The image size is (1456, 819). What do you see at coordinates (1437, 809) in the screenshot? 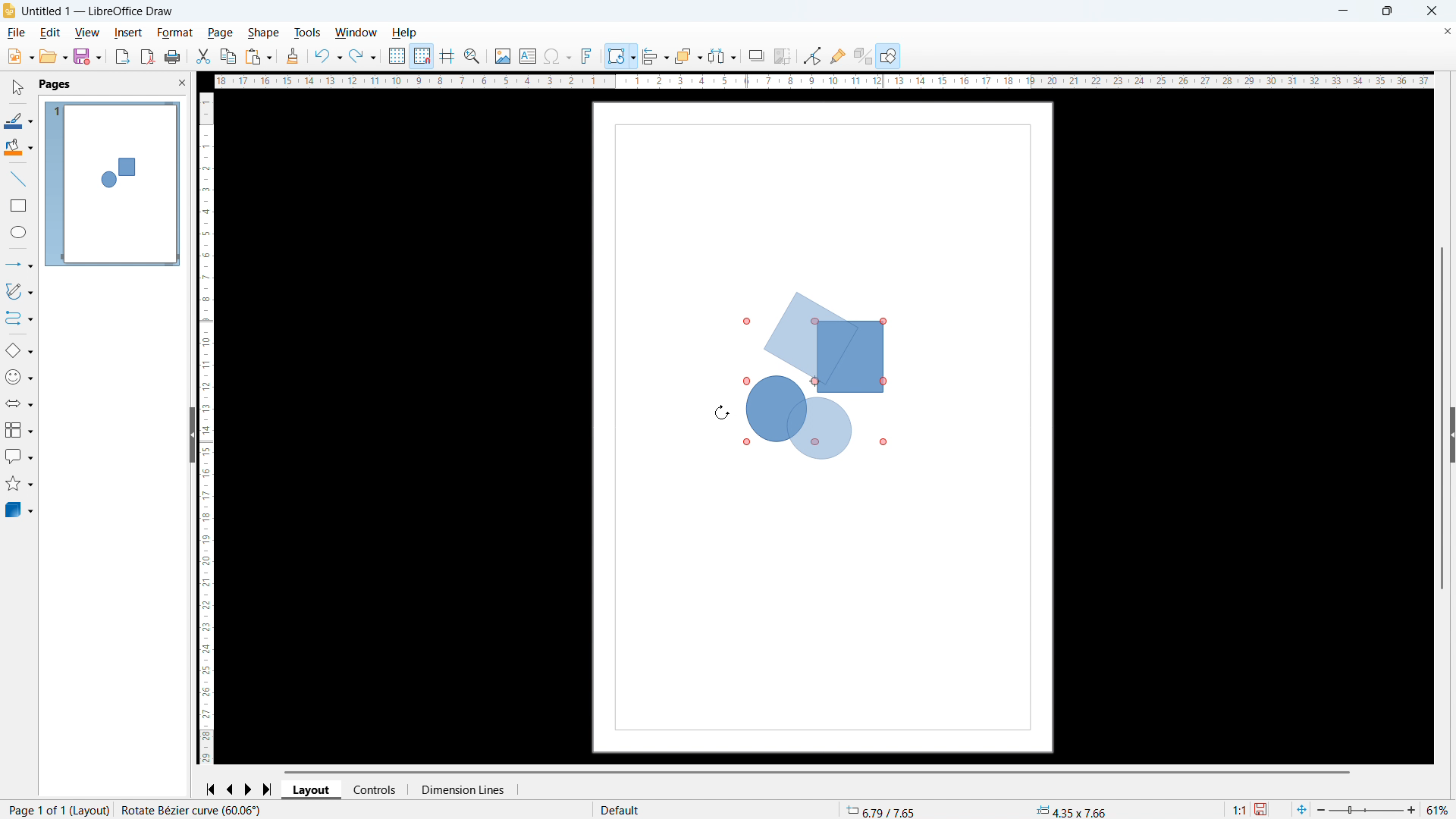
I see `Zoom level ` at bounding box center [1437, 809].